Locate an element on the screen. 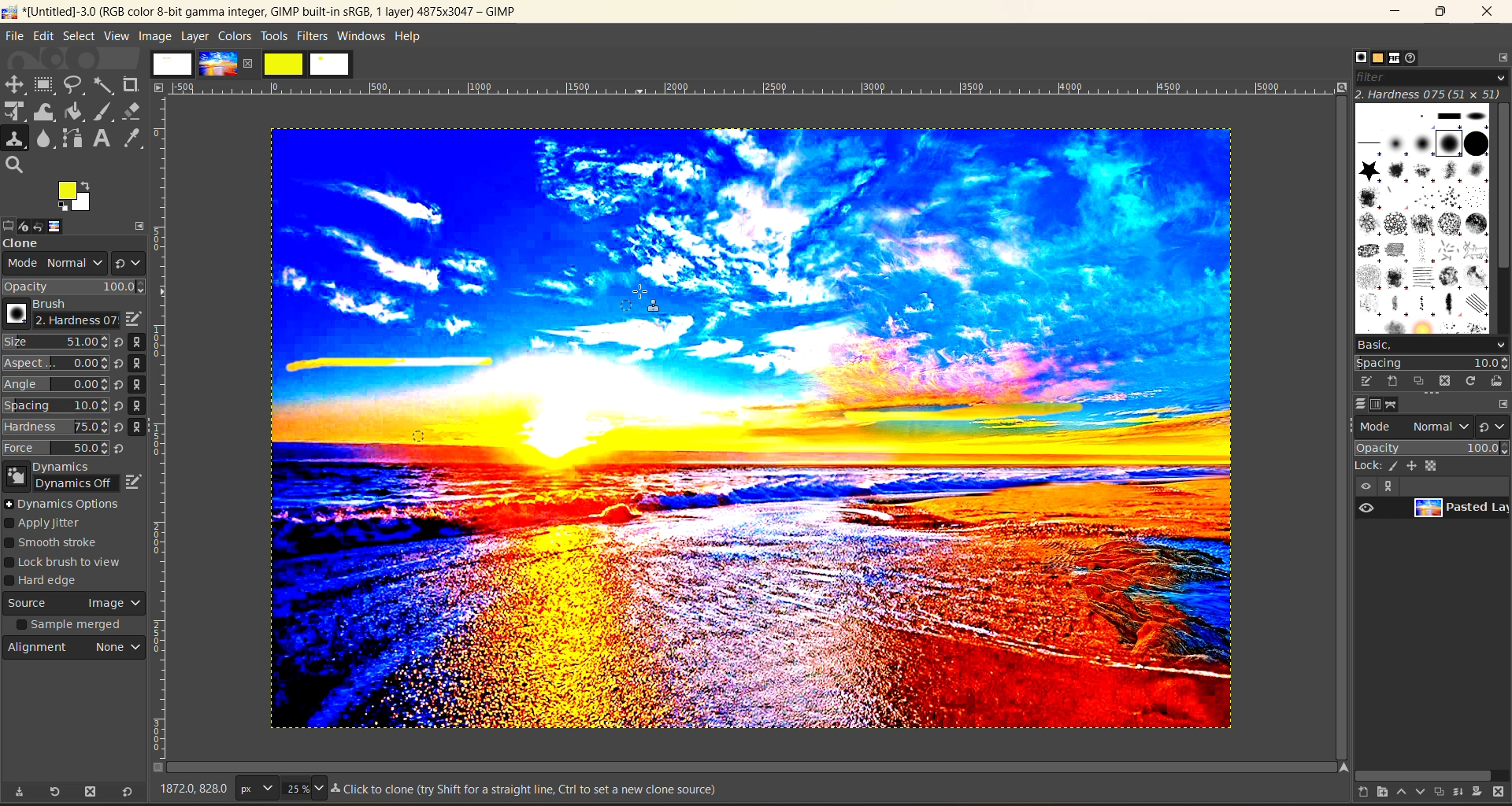  document history is located at coordinates (1417, 58).